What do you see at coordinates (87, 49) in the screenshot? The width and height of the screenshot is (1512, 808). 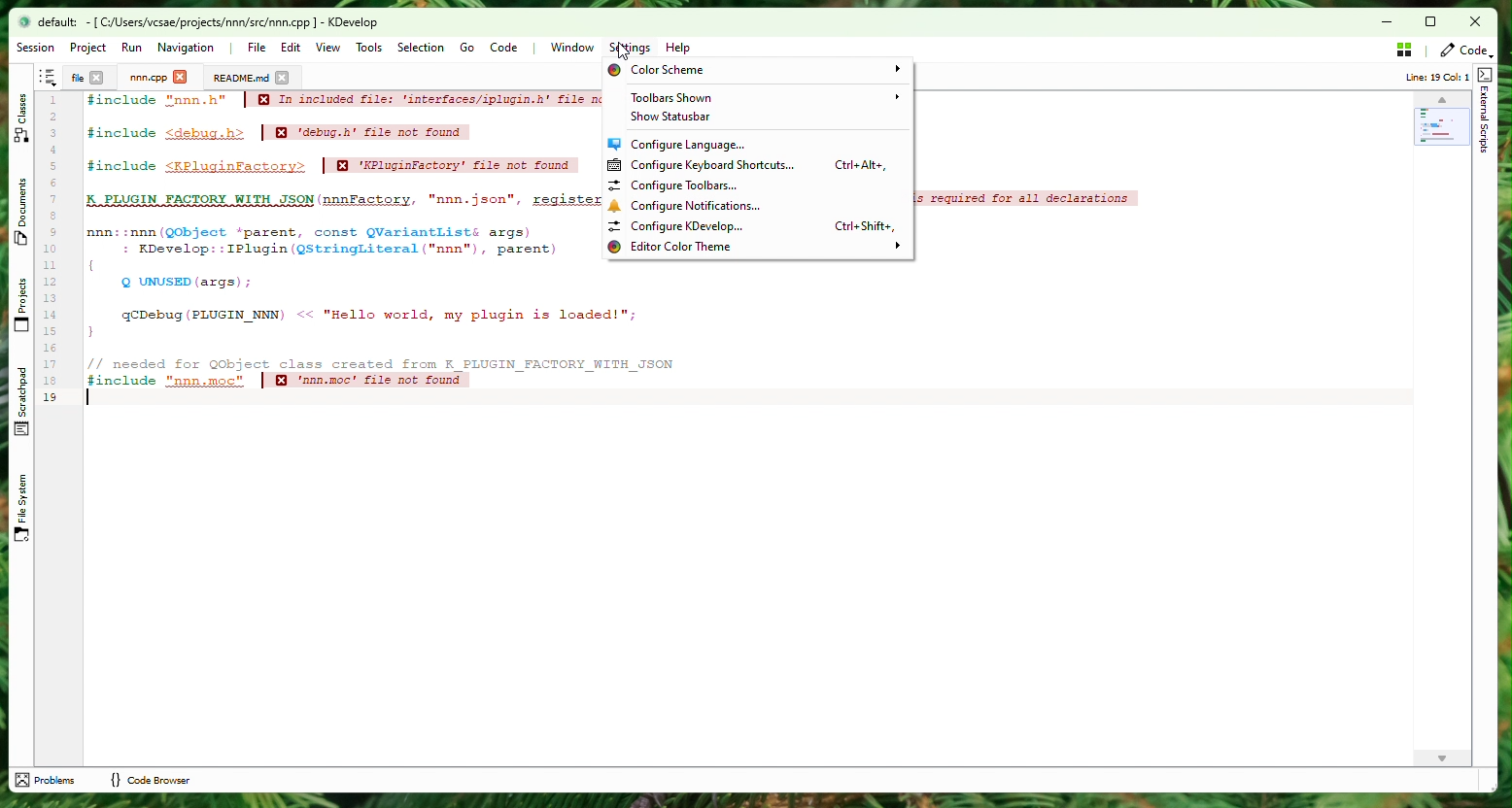 I see `Project` at bounding box center [87, 49].